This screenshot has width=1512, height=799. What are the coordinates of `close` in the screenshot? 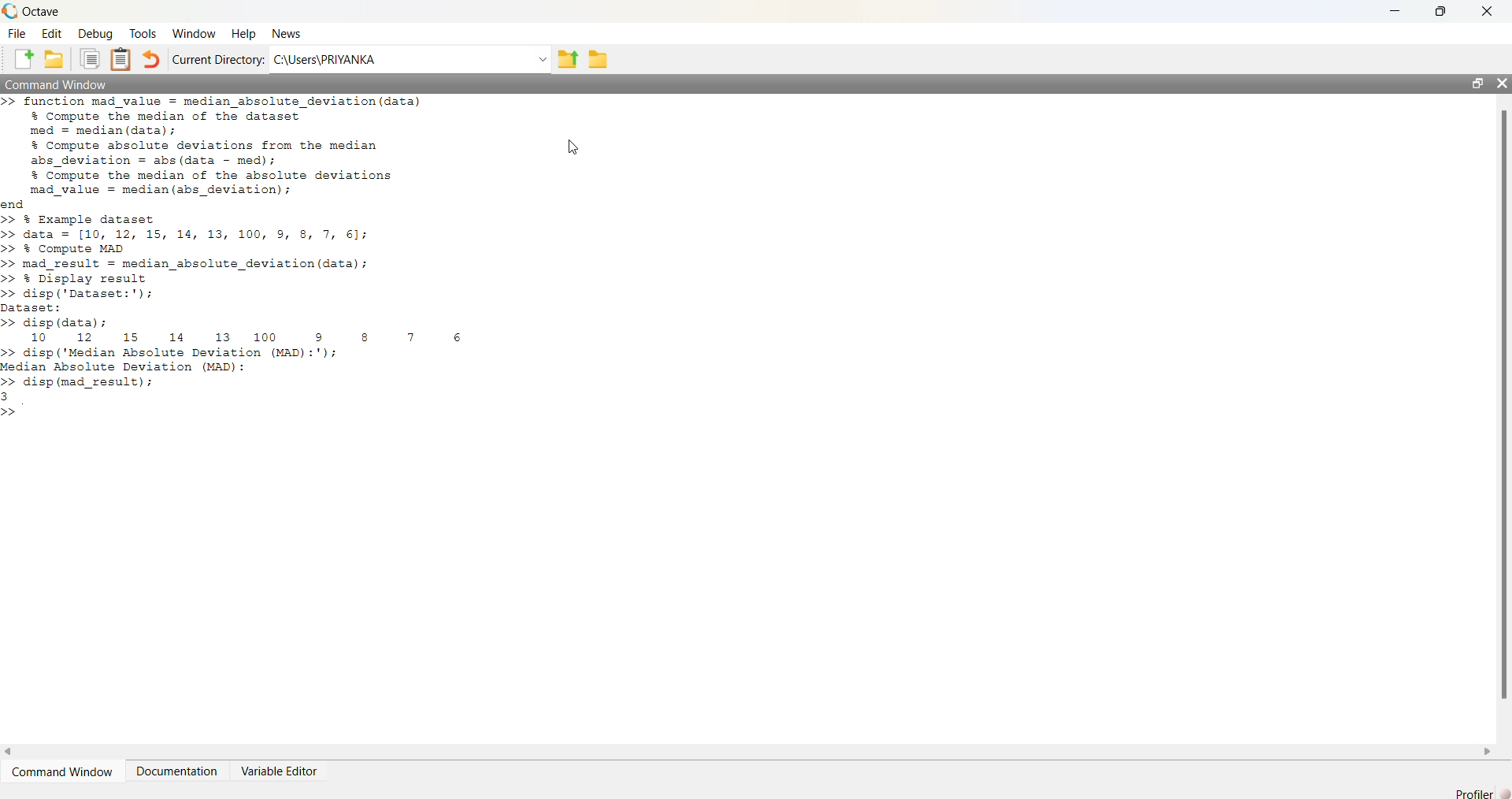 It's located at (1487, 10).